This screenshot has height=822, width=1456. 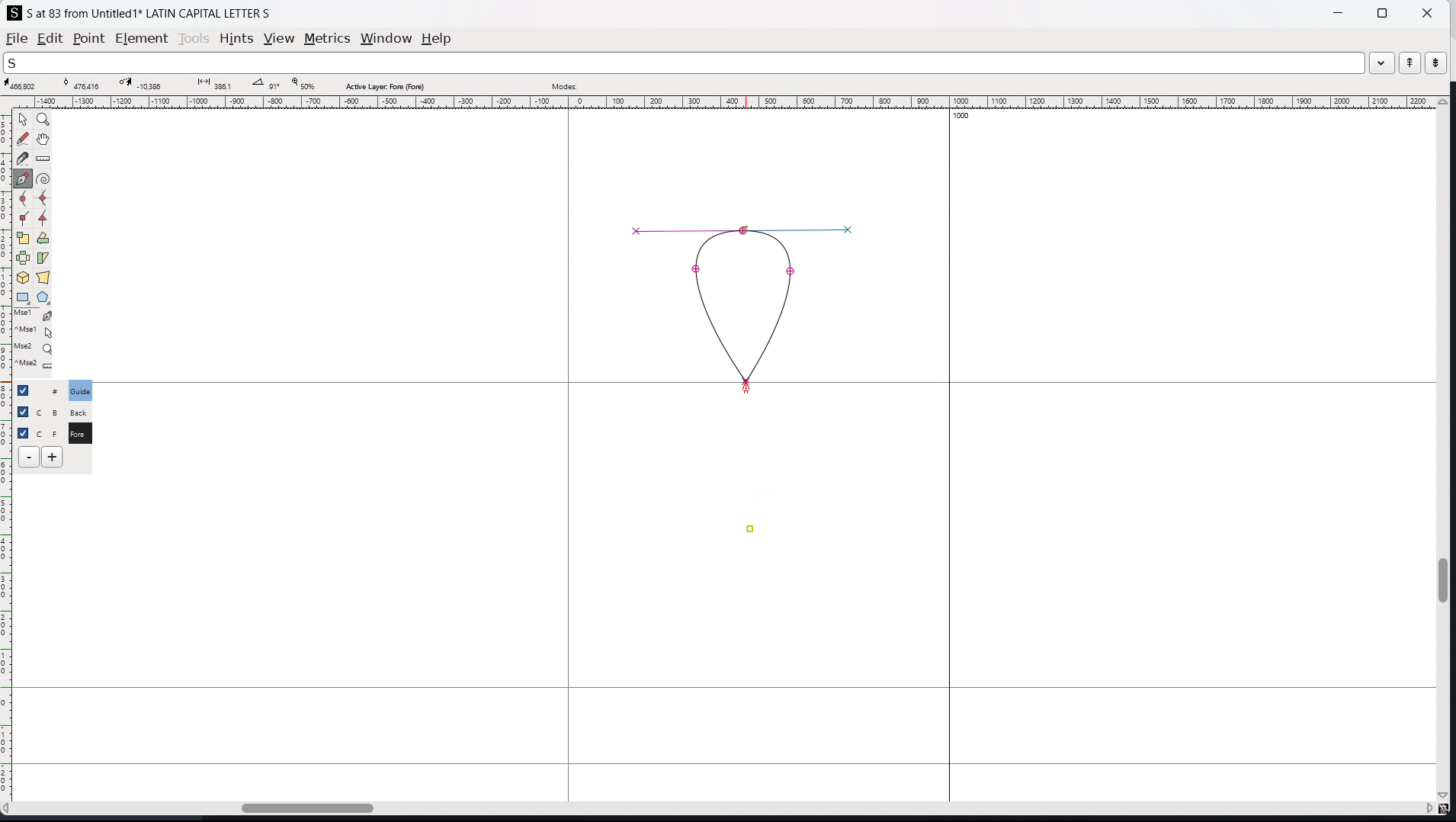 What do you see at coordinates (23, 139) in the screenshot?
I see `draw a freehand curve` at bounding box center [23, 139].